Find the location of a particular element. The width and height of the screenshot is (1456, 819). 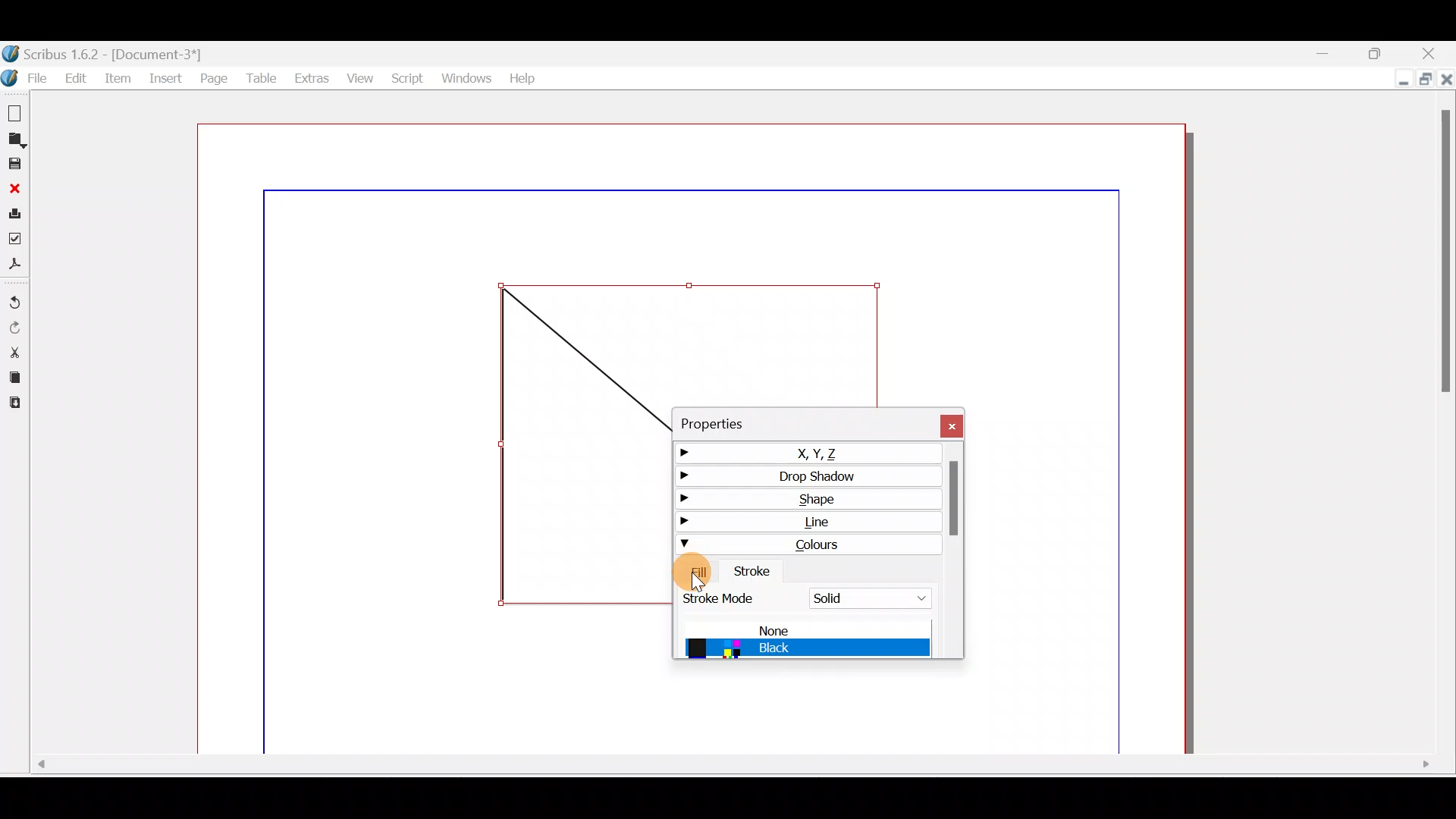

Close is located at coordinates (1446, 81).